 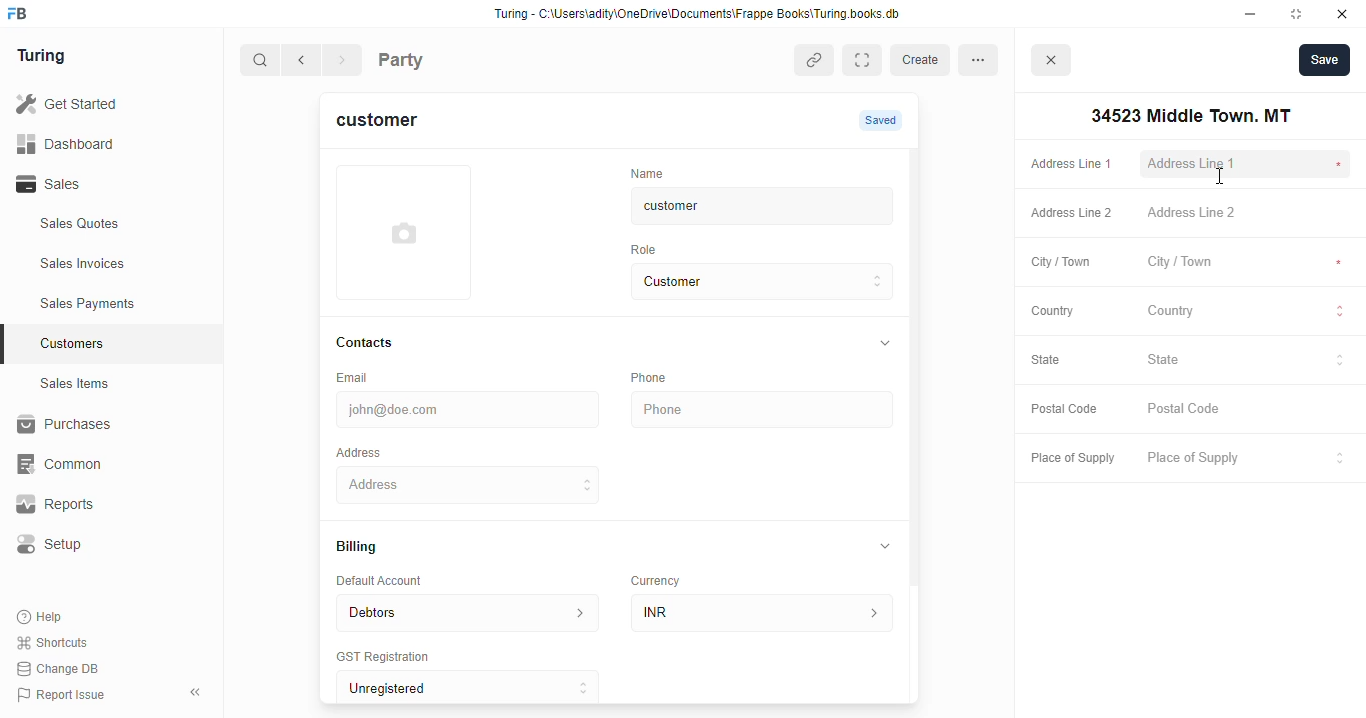 I want to click on Address, so click(x=372, y=451).